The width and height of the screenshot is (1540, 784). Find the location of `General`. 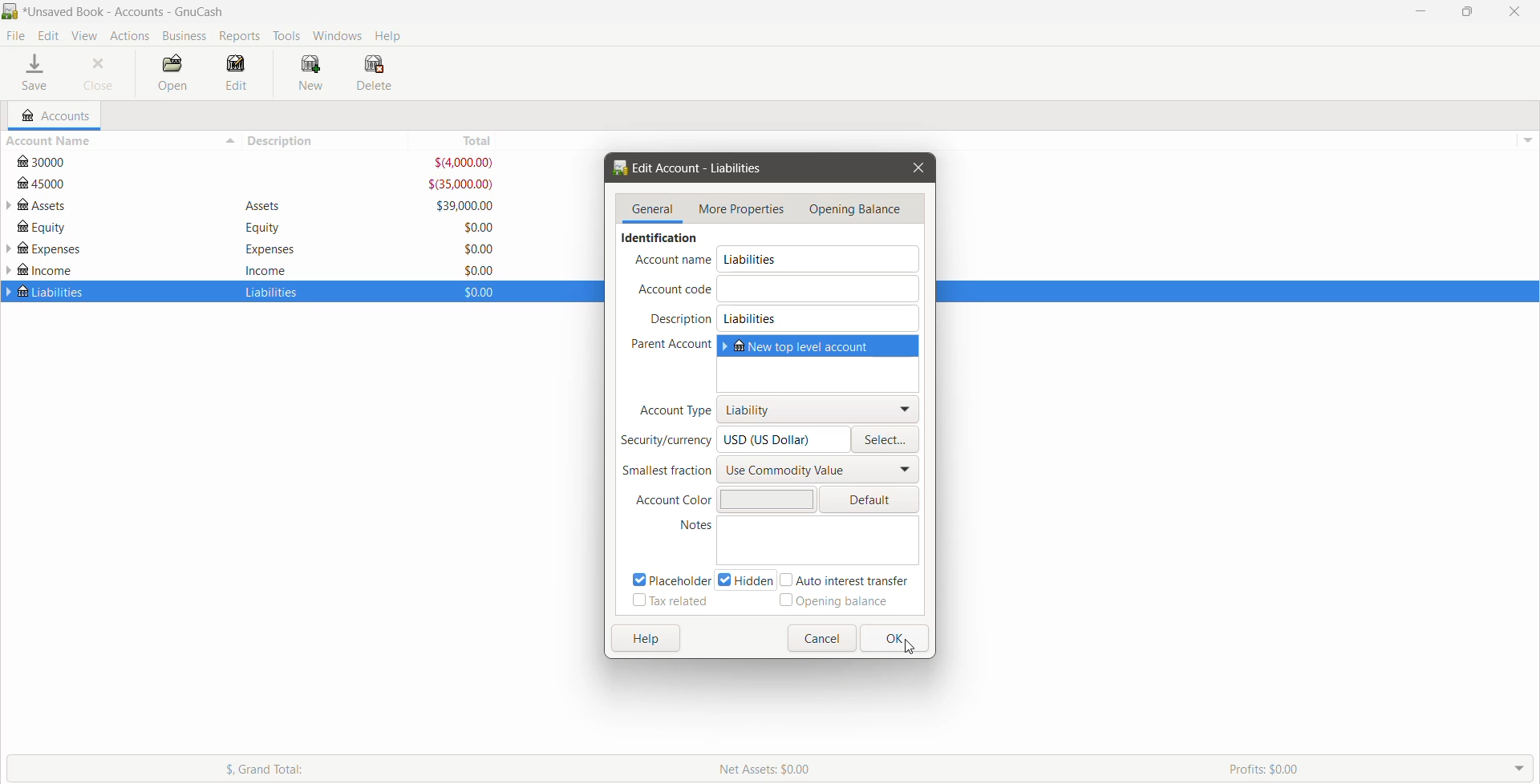

General is located at coordinates (654, 209).